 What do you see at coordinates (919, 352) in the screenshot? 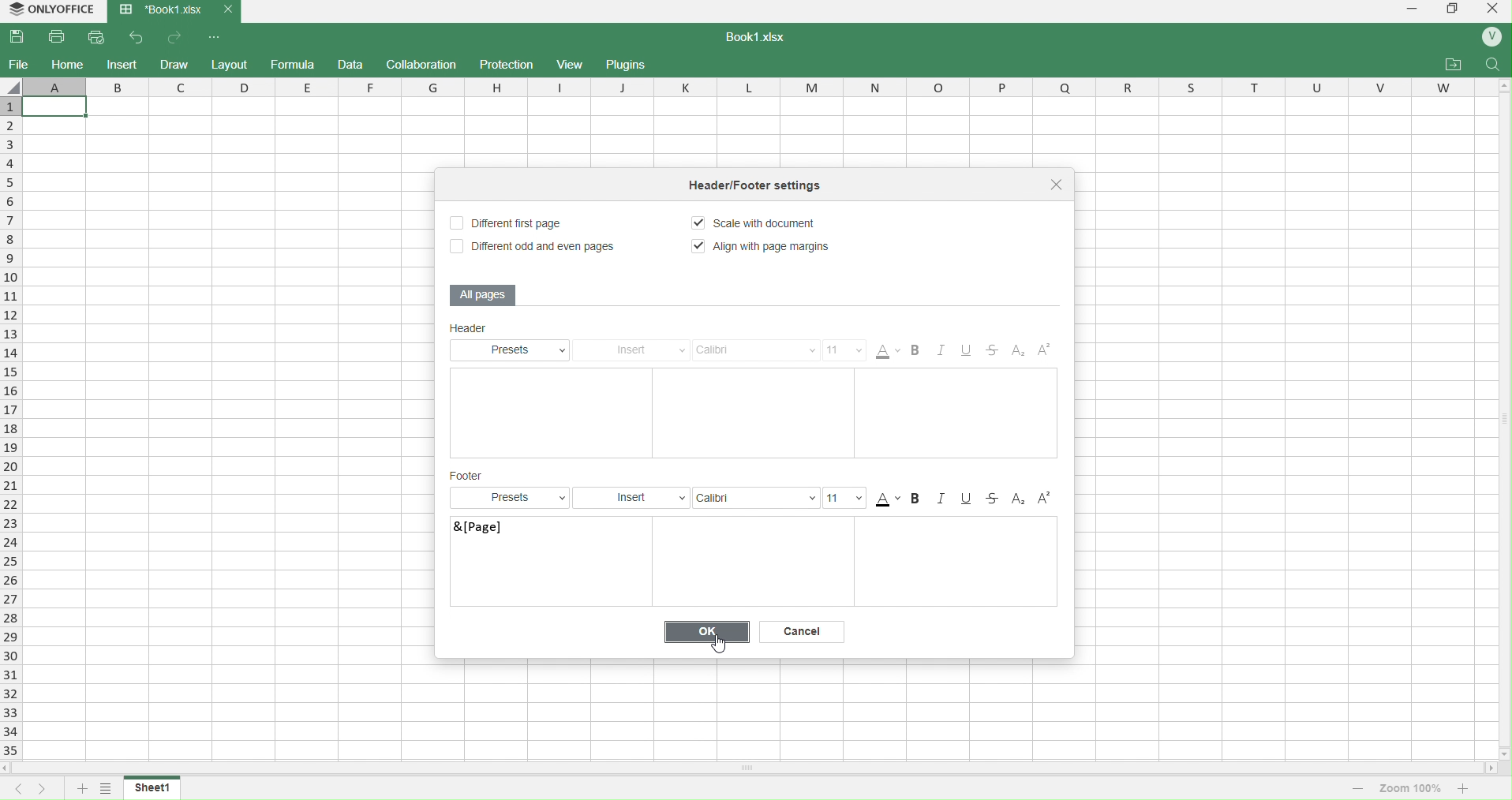
I see `Bold` at bounding box center [919, 352].